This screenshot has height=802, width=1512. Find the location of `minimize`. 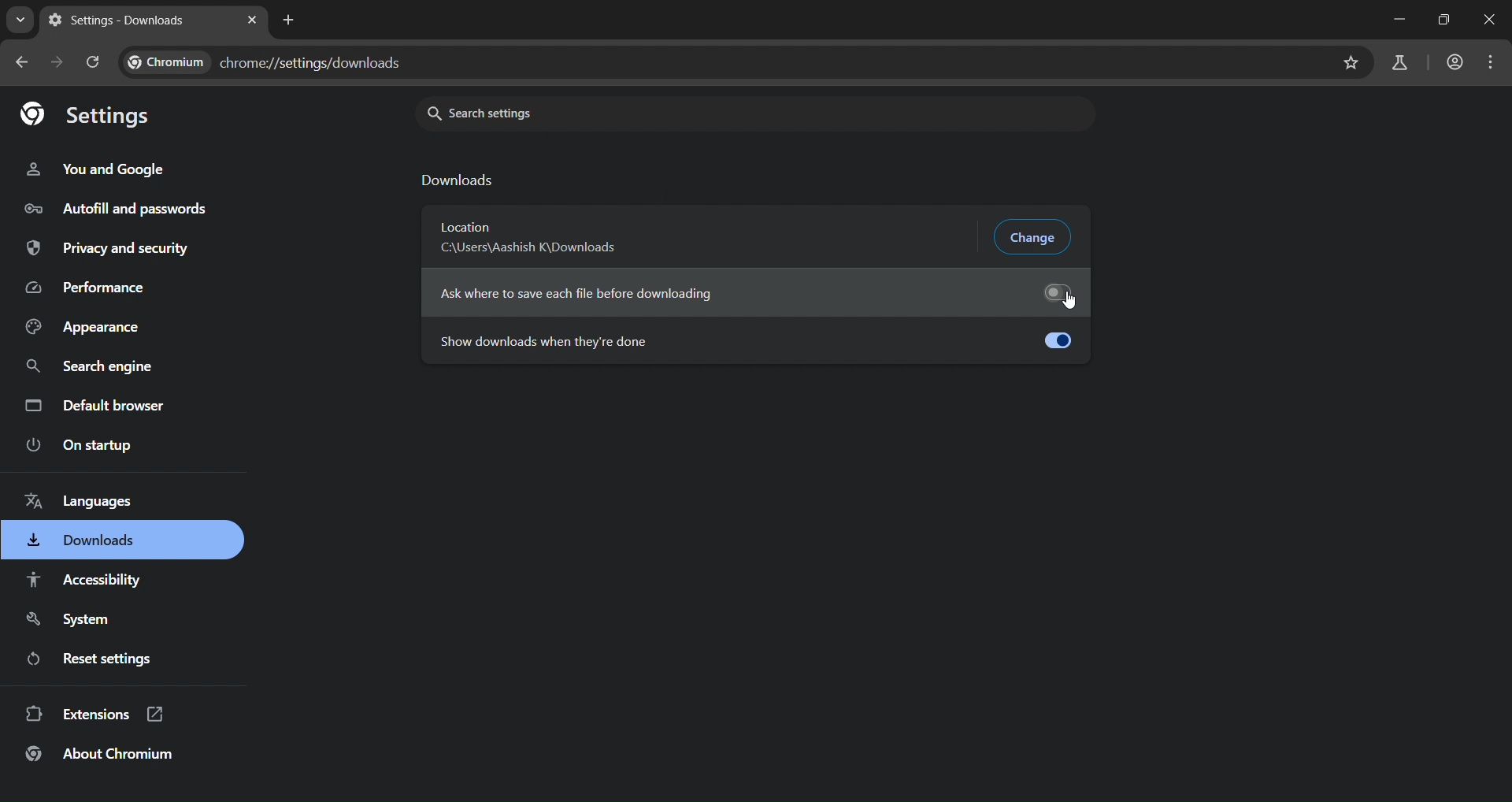

minimize is located at coordinates (1398, 20).